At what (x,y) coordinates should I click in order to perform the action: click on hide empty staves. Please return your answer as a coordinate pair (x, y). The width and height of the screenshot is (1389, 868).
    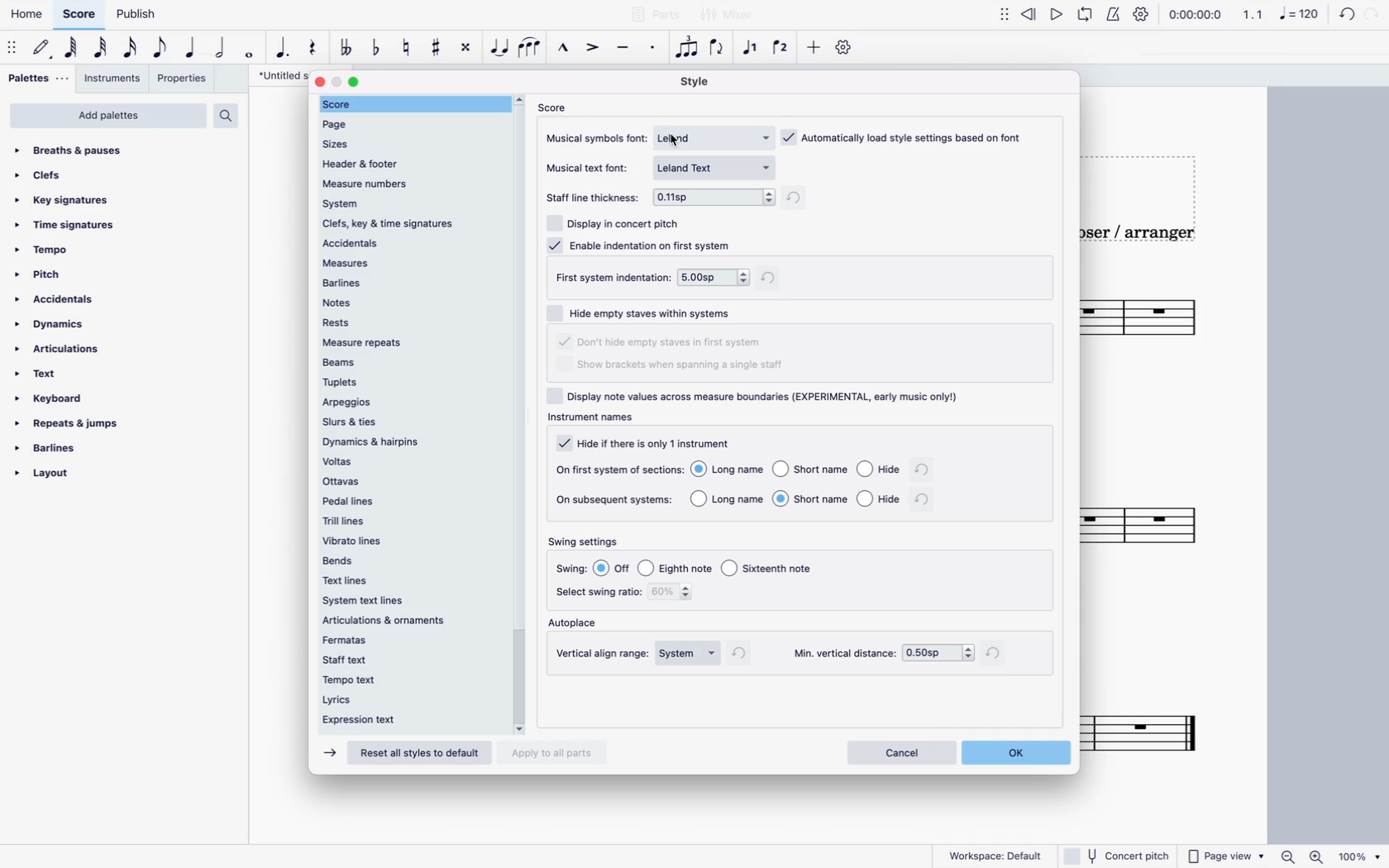
    Looking at the image, I should click on (663, 343).